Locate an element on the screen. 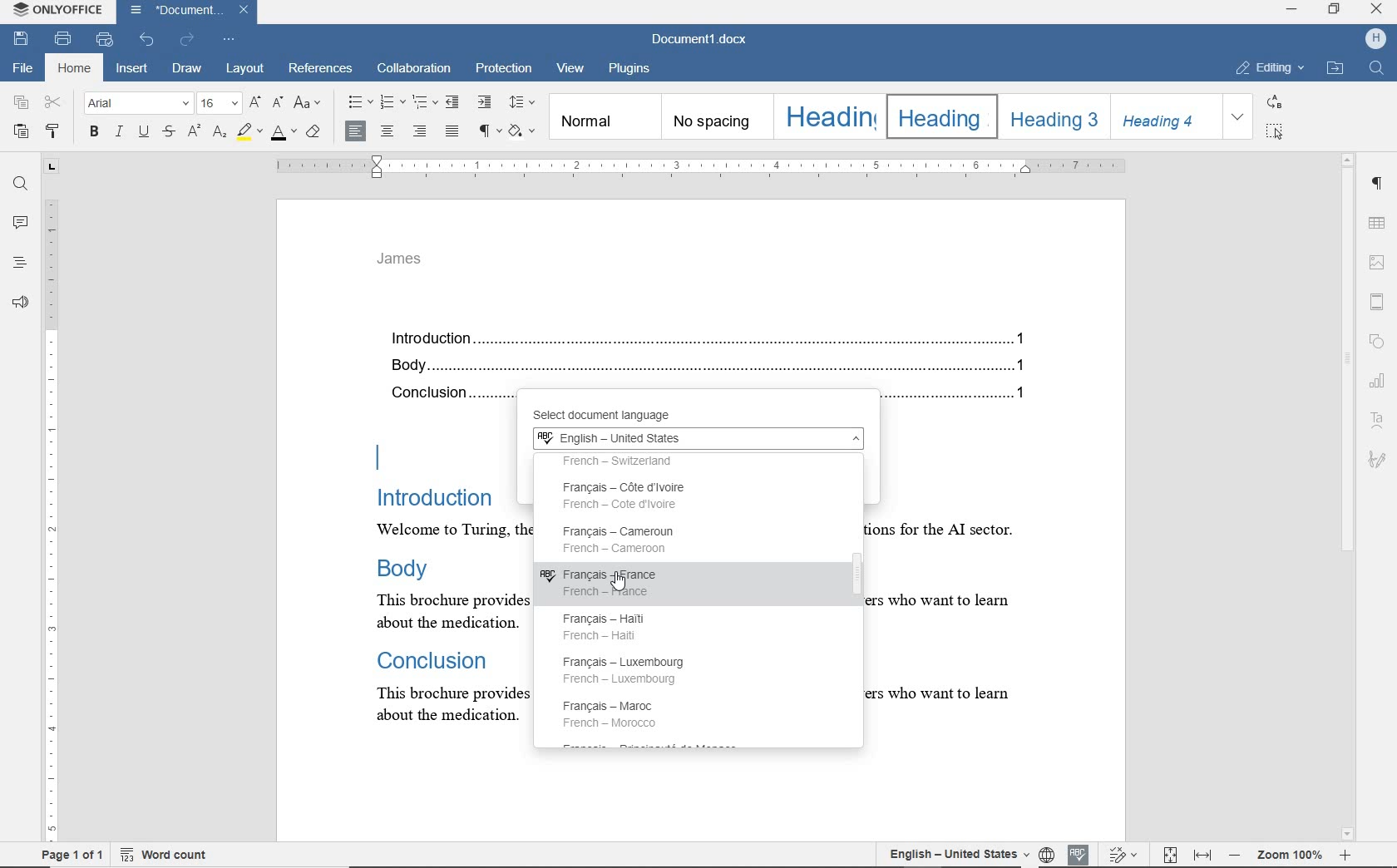 The width and height of the screenshot is (1397, 868). protection is located at coordinates (504, 71).